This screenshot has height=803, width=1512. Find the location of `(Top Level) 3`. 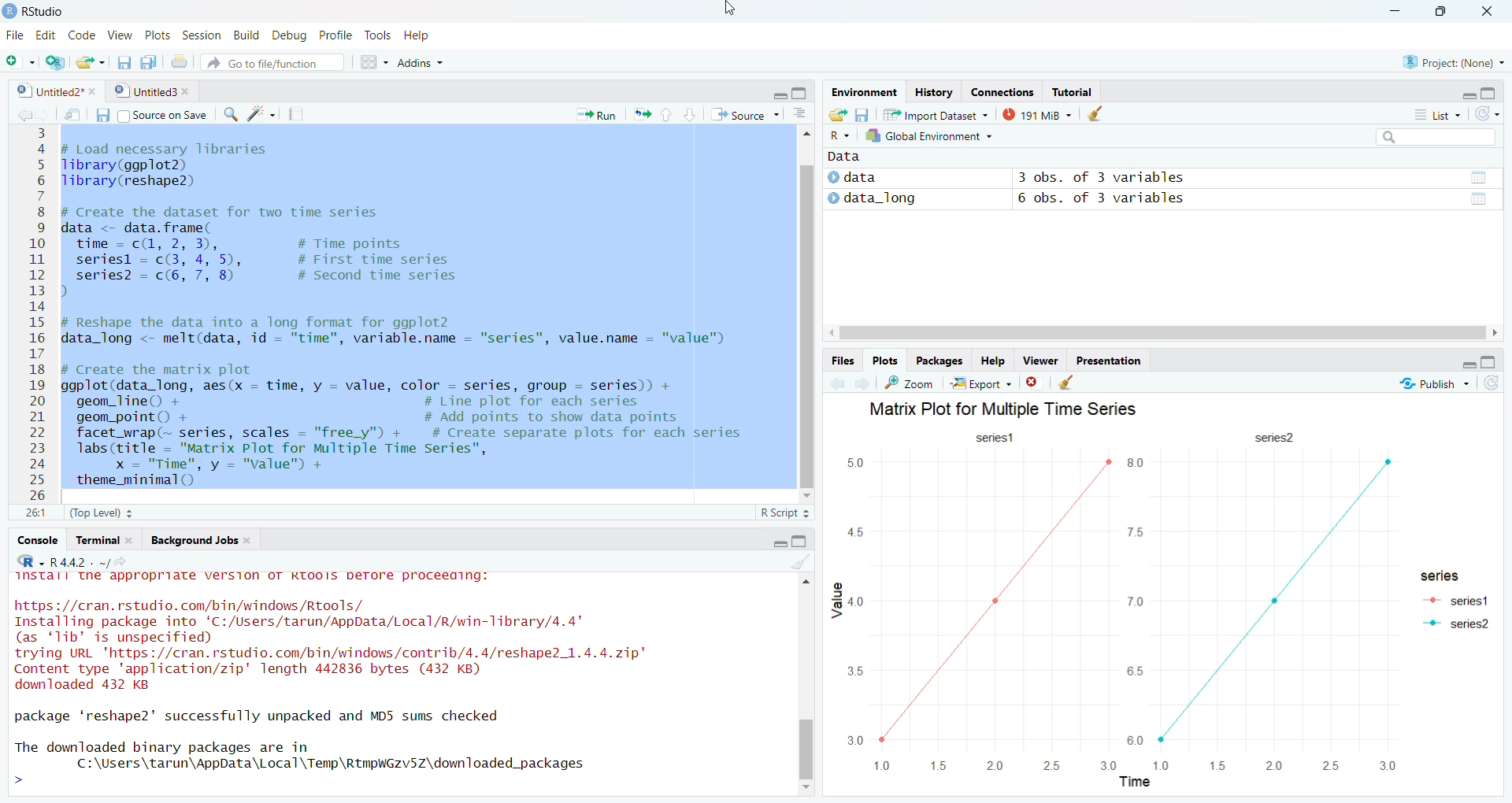

(Top Level) 3 is located at coordinates (102, 513).